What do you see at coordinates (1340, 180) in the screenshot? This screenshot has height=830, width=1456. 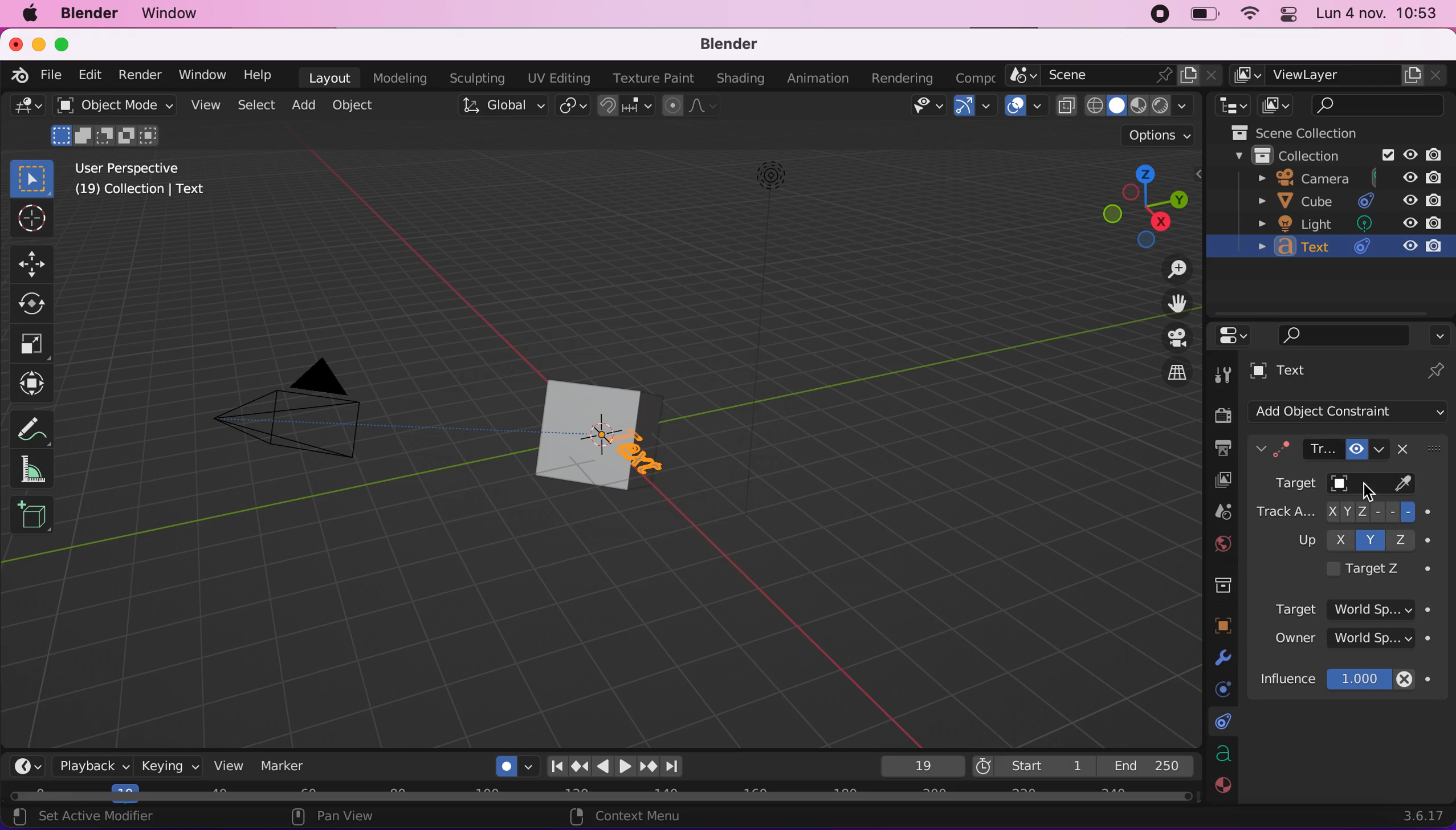 I see `camera` at bounding box center [1340, 180].